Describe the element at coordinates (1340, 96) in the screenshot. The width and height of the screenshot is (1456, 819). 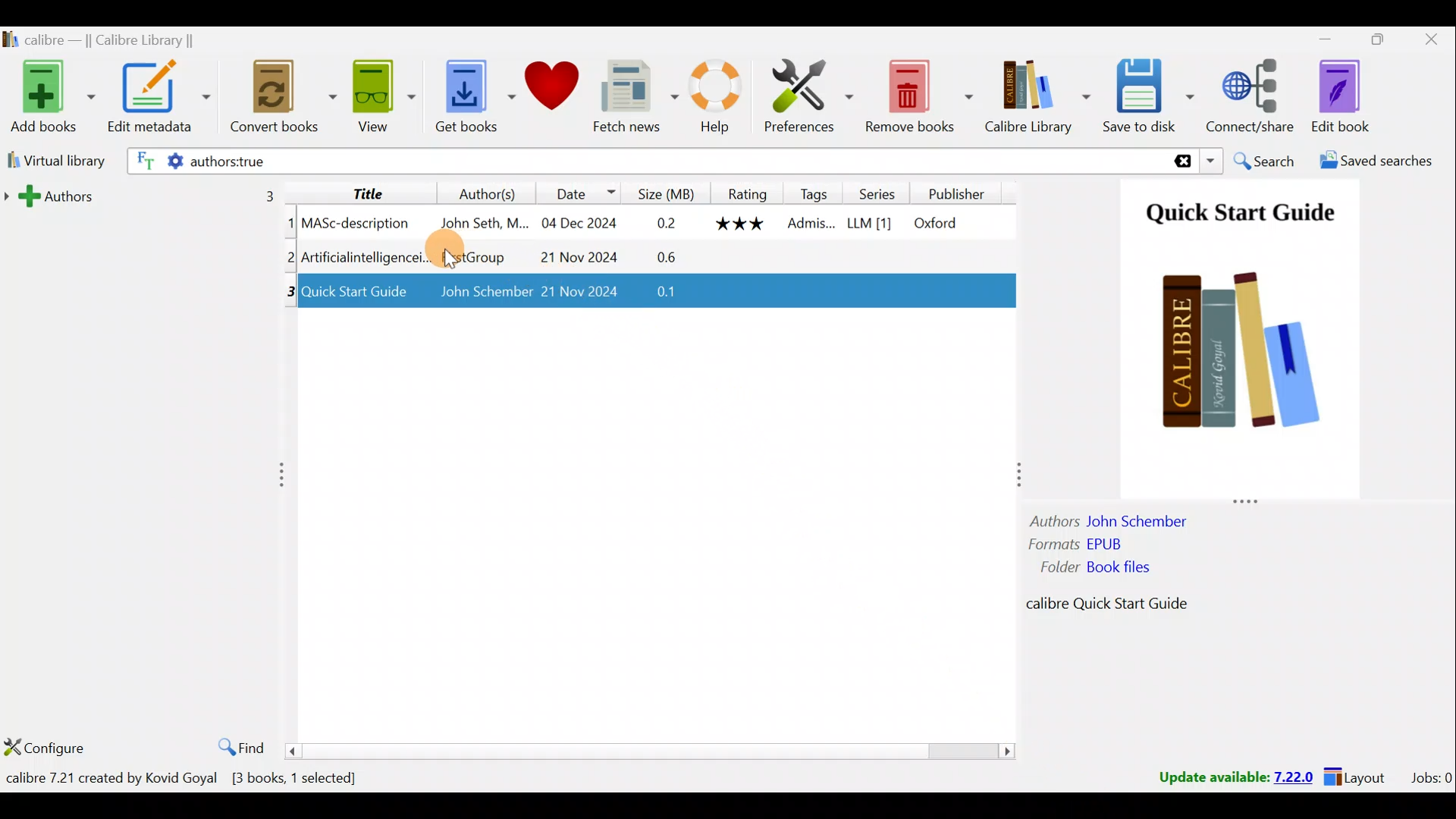
I see `Edit book` at that location.